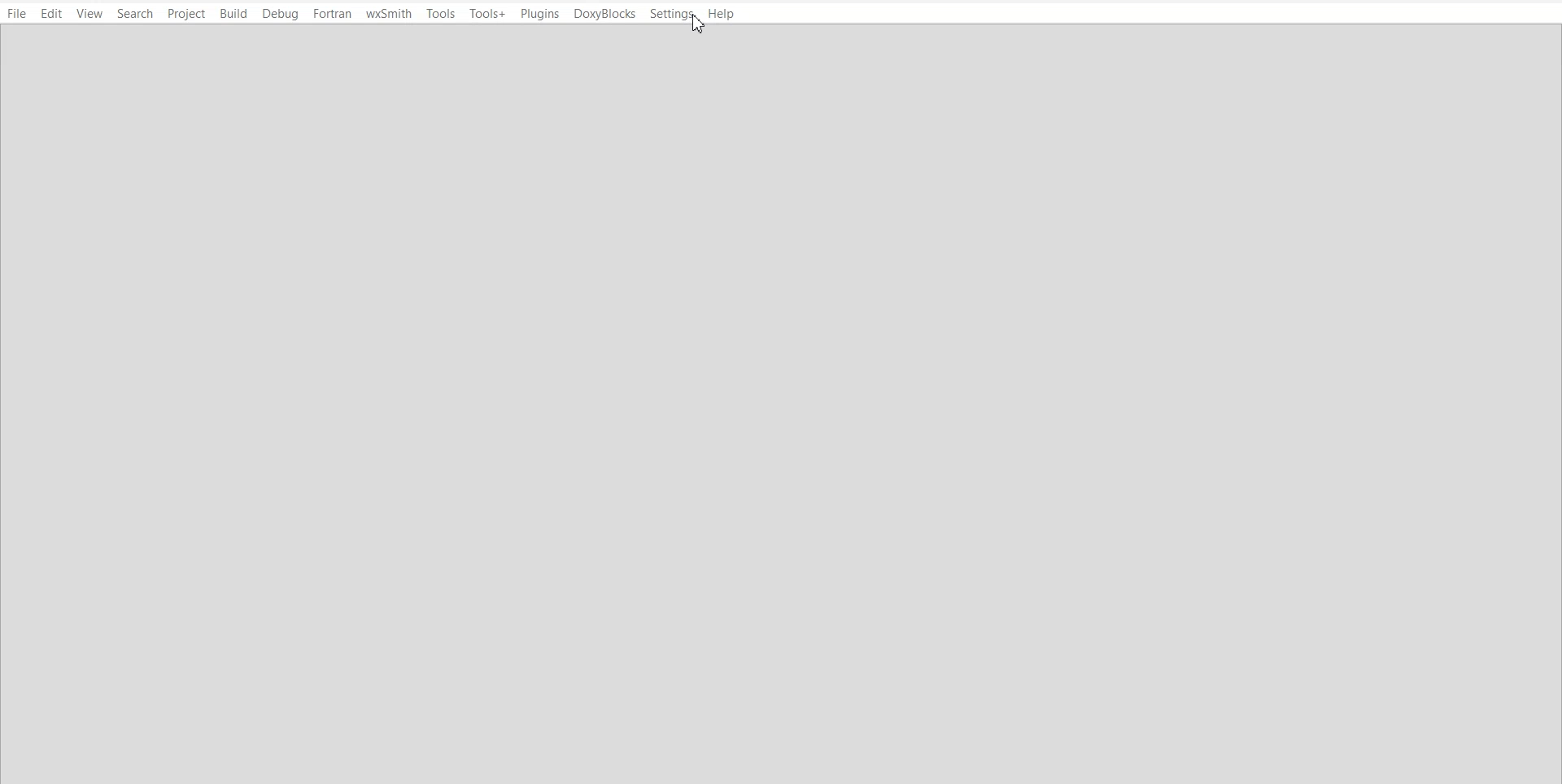 The image size is (1562, 784). Describe the element at coordinates (489, 12) in the screenshot. I see `Tools+` at that location.